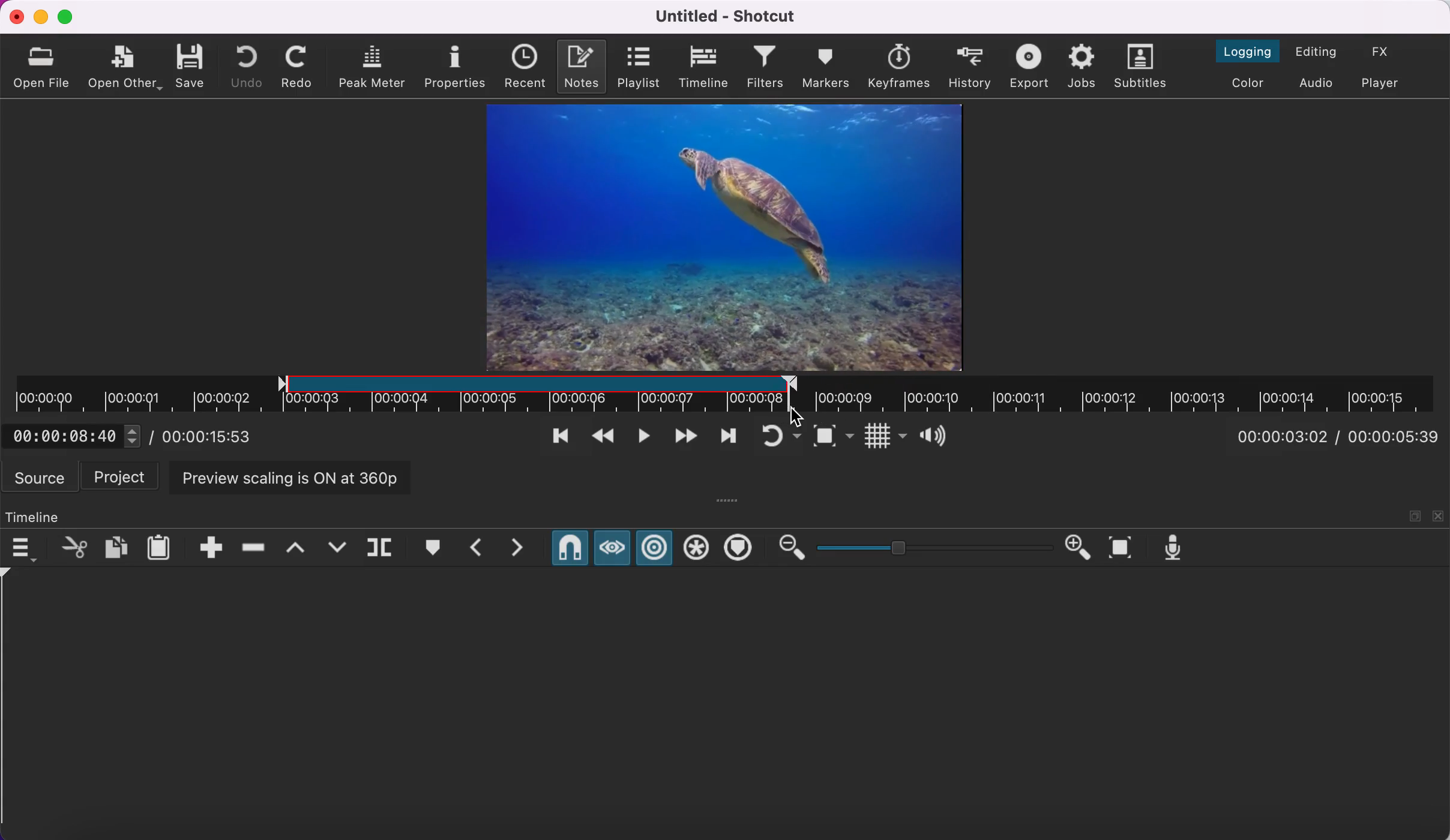  What do you see at coordinates (560, 434) in the screenshot?
I see `skip to previous point` at bounding box center [560, 434].